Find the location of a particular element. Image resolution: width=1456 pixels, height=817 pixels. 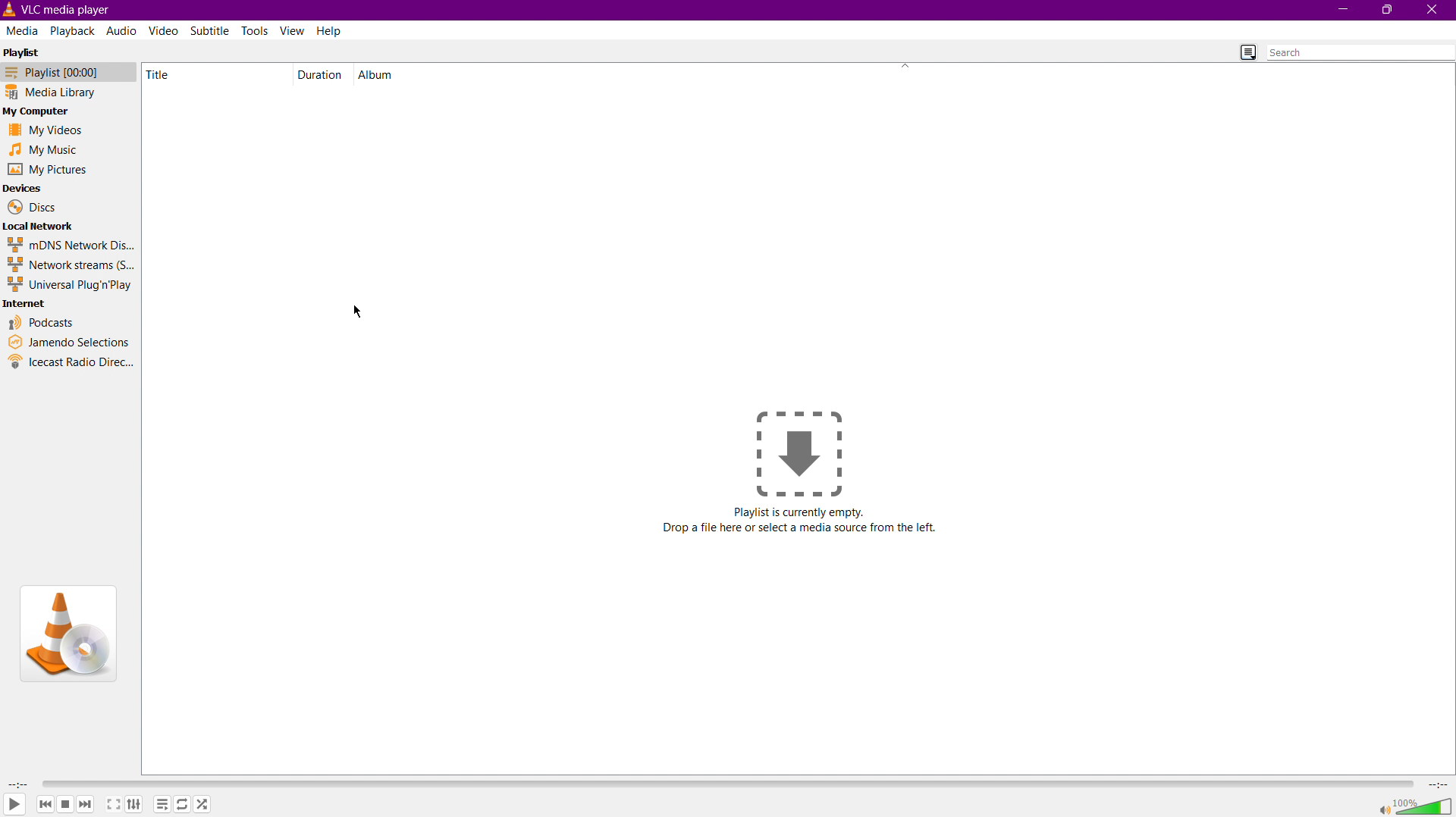

Playlist is located at coordinates (69, 71).